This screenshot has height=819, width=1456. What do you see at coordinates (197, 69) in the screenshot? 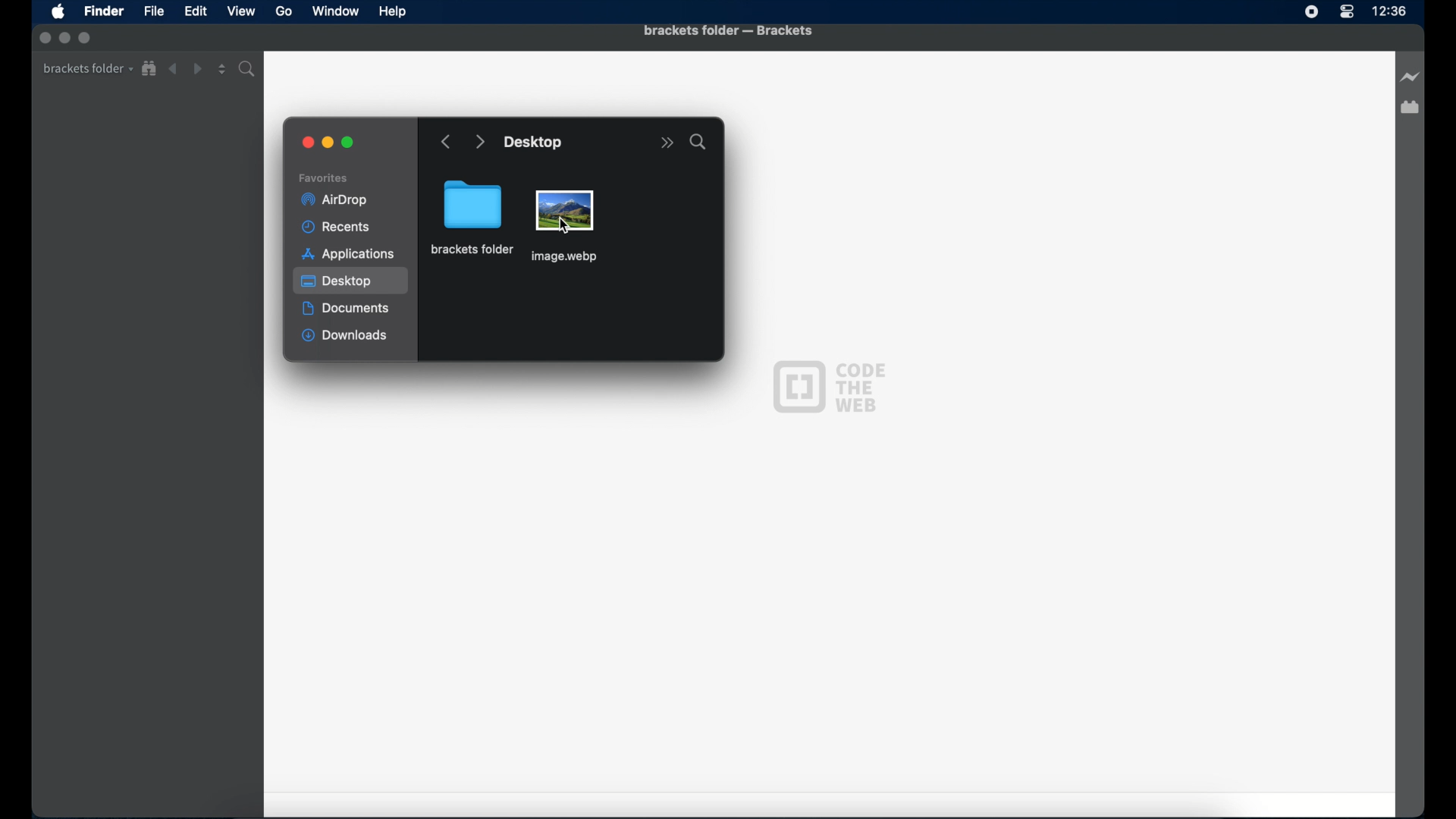
I see `forward` at bounding box center [197, 69].